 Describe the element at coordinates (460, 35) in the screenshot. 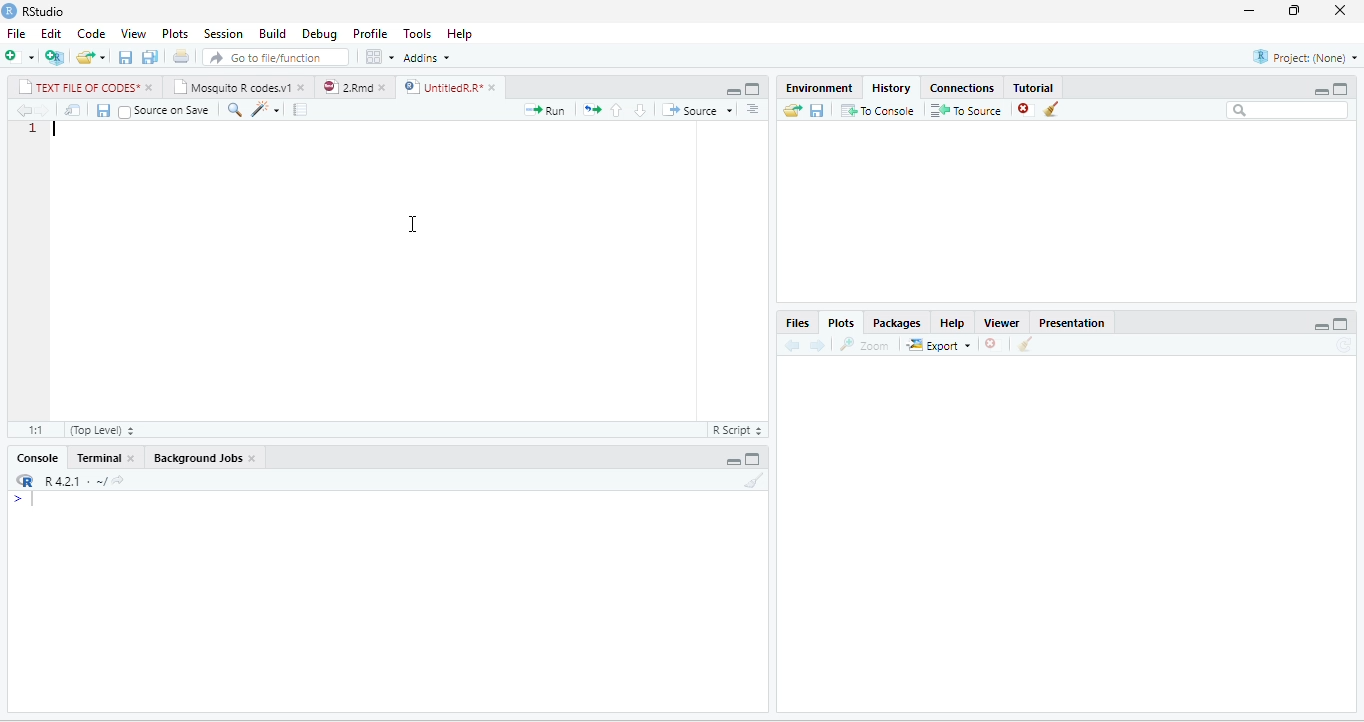

I see `Help` at that location.